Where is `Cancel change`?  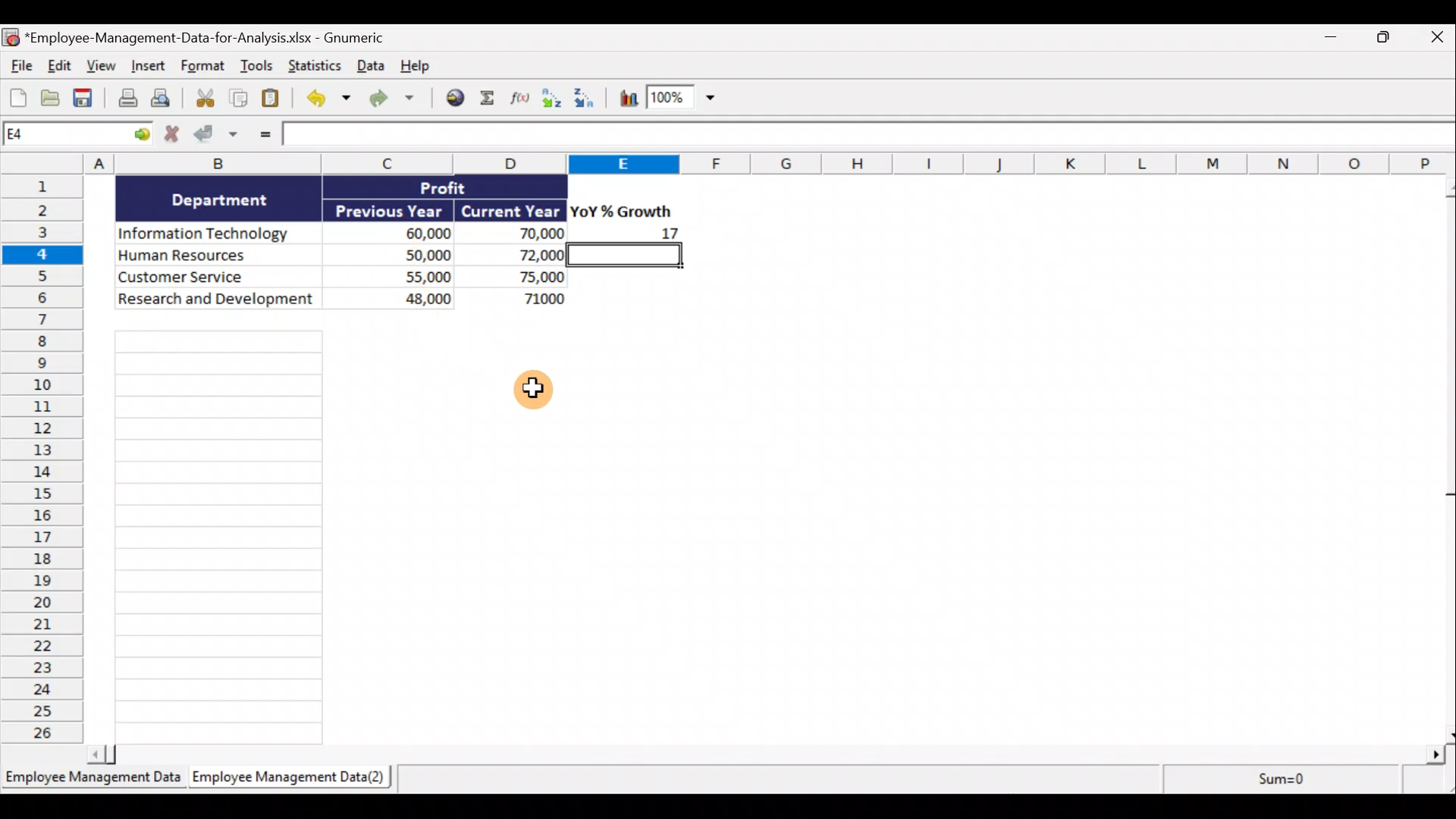 Cancel change is located at coordinates (174, 134).